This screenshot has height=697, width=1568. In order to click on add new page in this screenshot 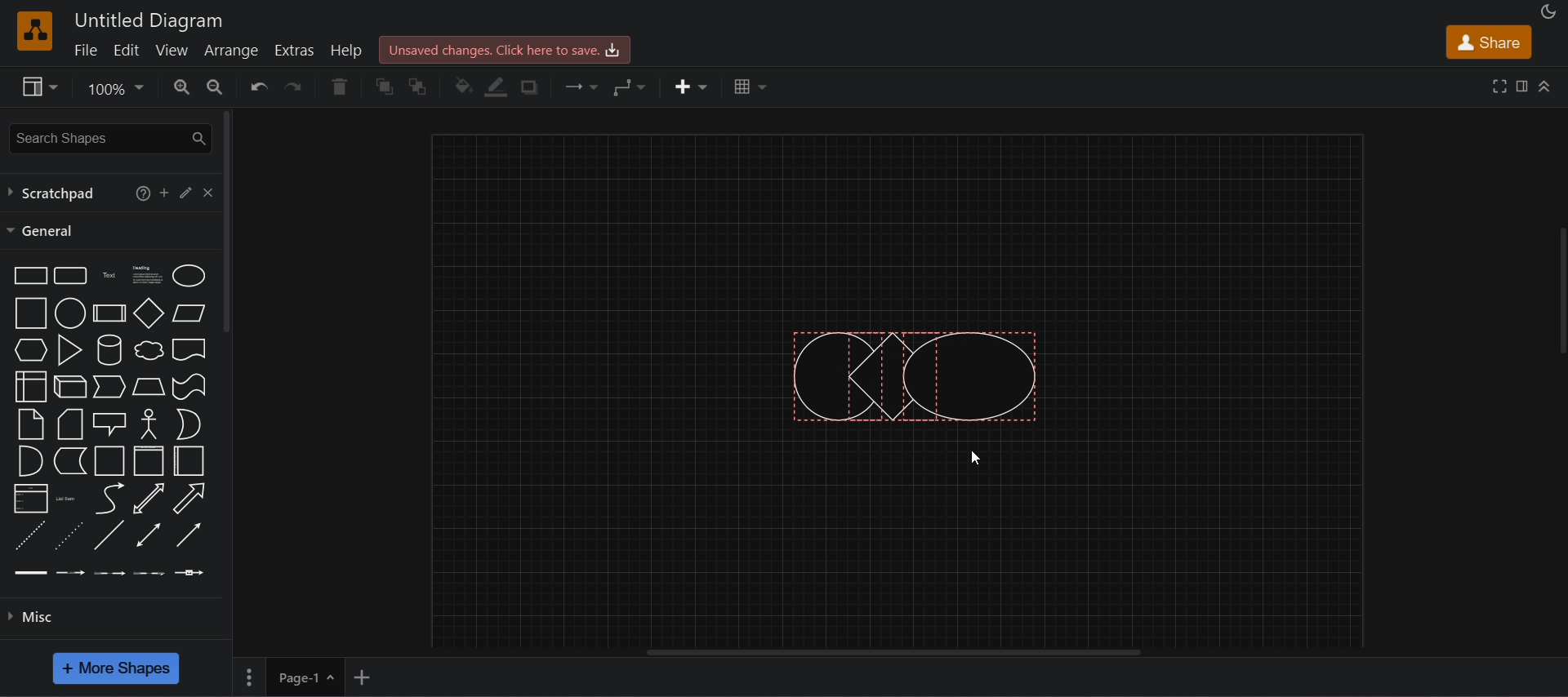, I will do `click(363, 675)`.